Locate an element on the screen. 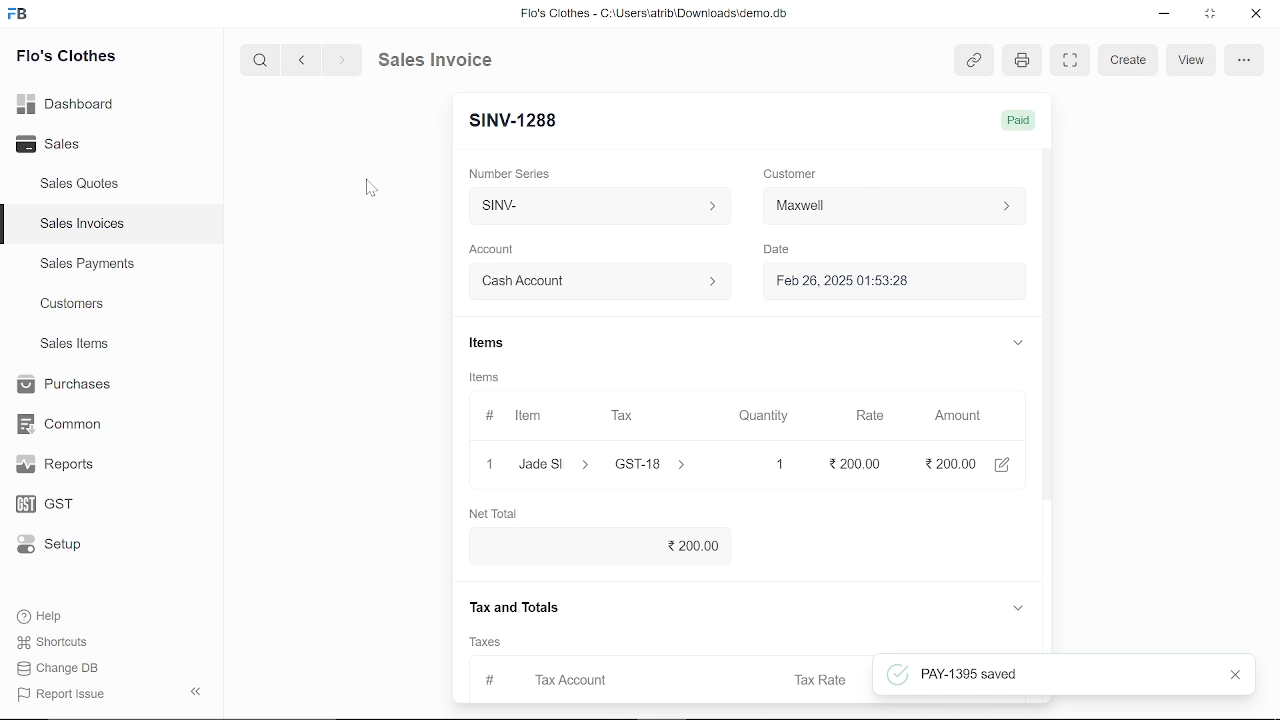  Tax and Totals is located at coordinates (518, 607).